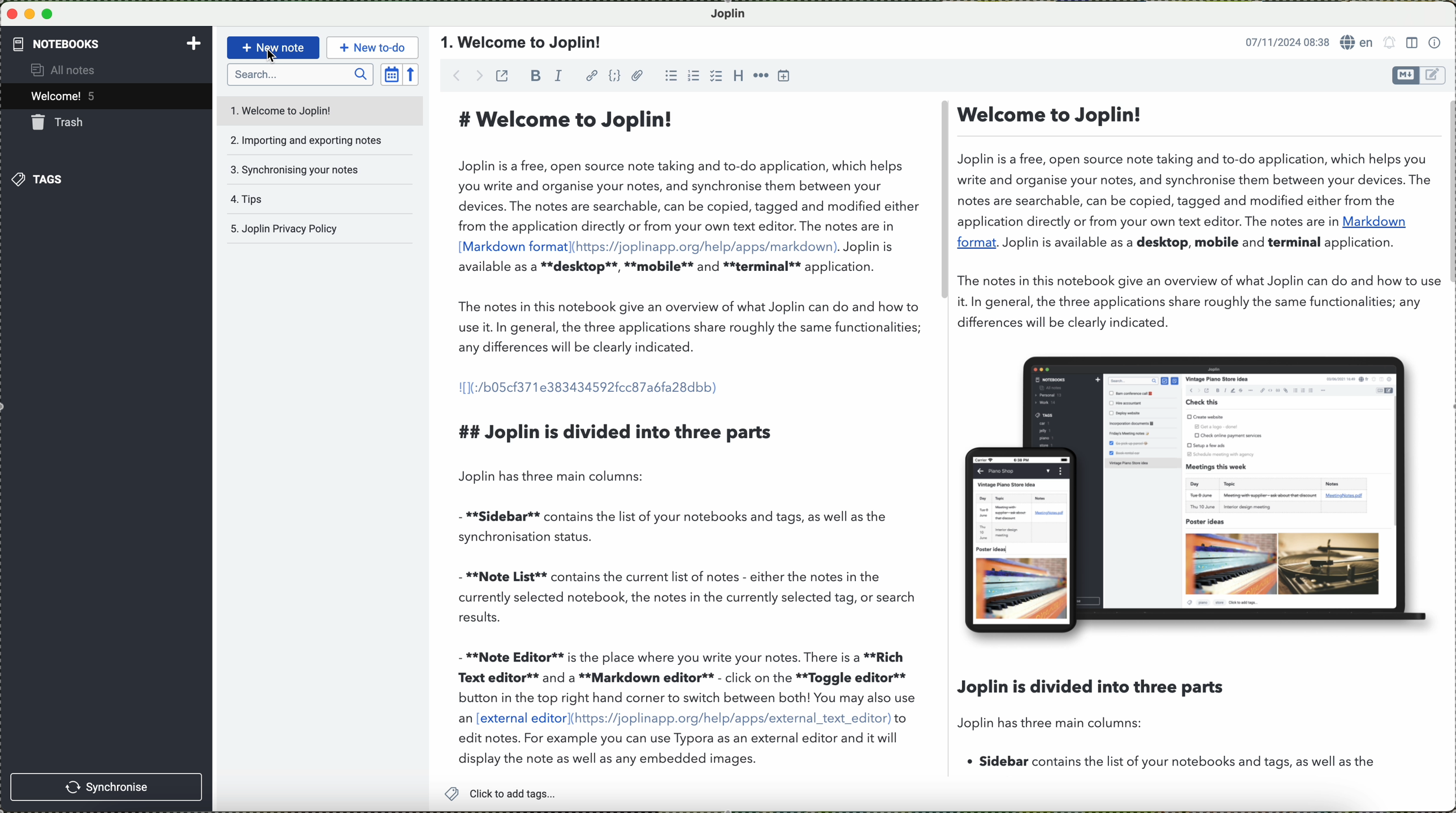 Image resolution: width=1456 pixels, height=813 pixels. I want to click on toggle editor layout, so click(1411, 43).